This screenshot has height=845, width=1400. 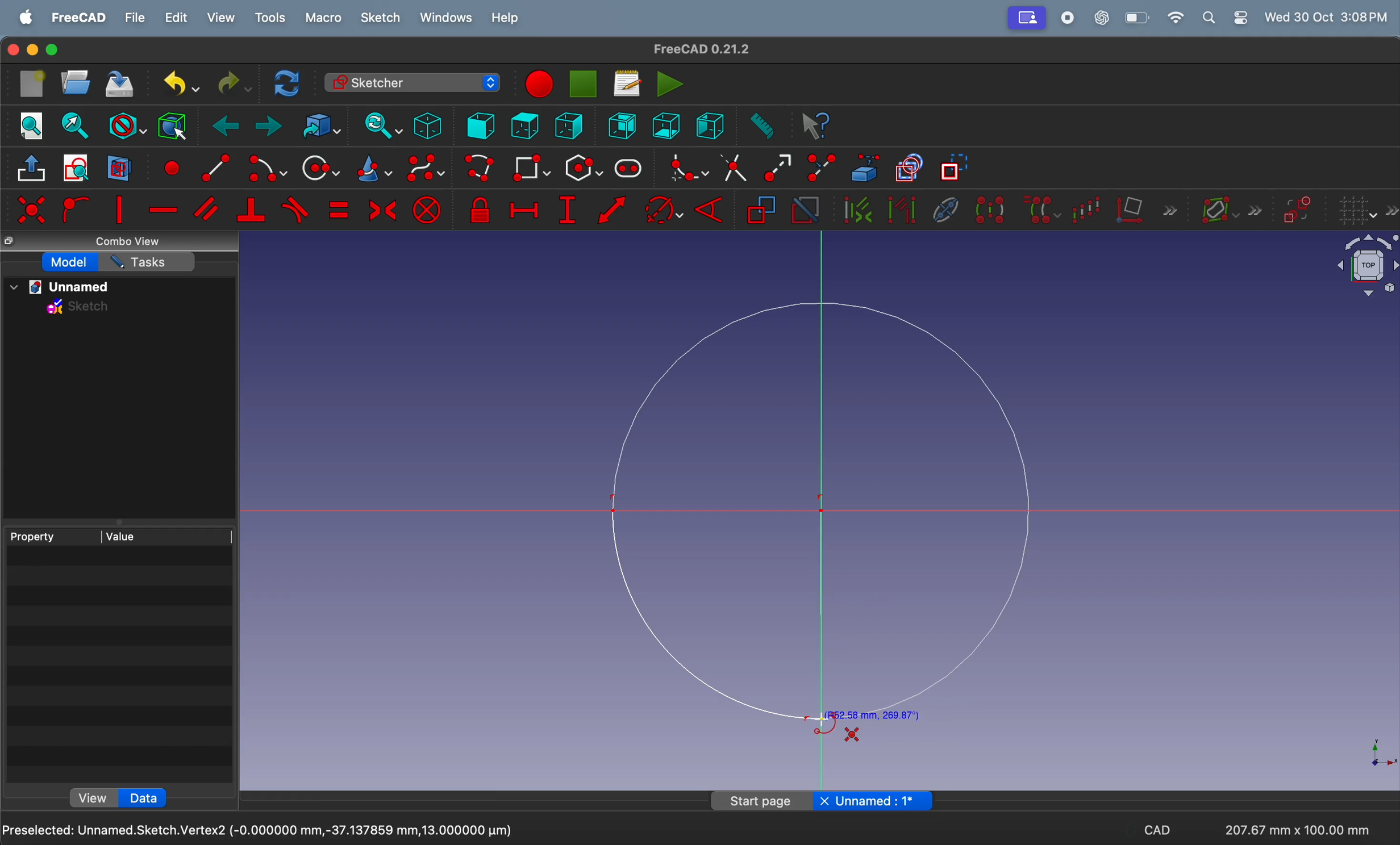 I want to click on apple menu, so click(x=27, y=18).